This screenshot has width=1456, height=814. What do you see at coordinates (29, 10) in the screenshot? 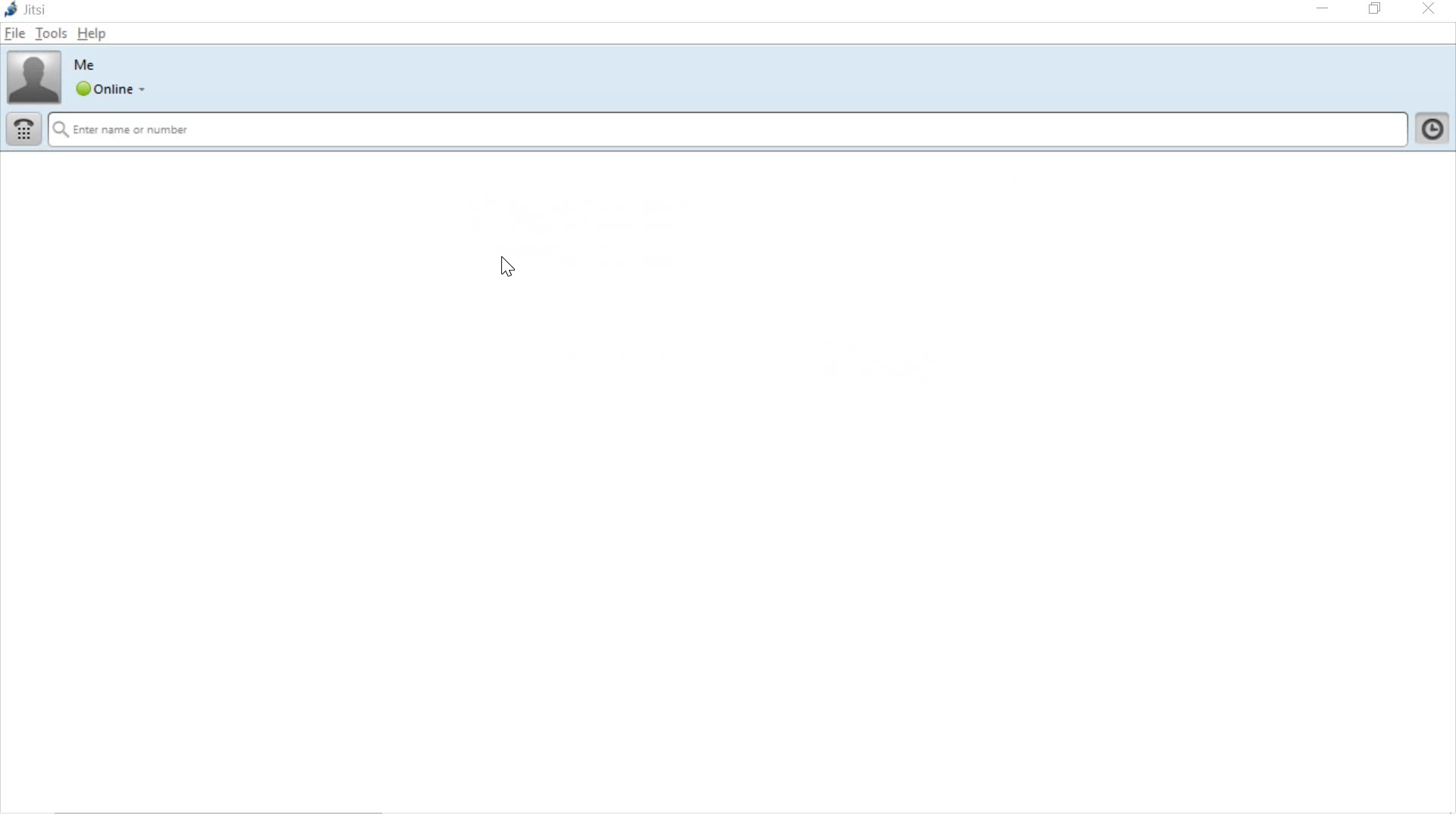
I see `system name` at bounding box center [29, 10].